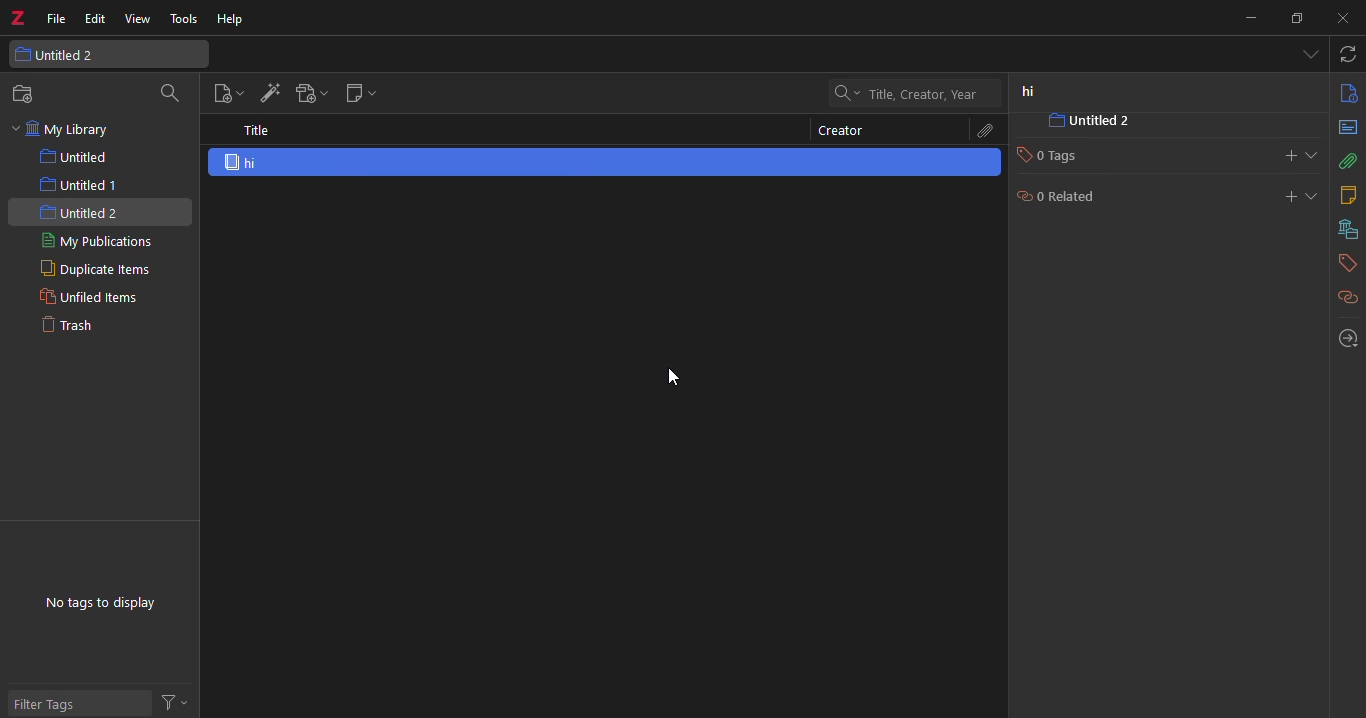 This screenshot has height=718, width=1366. What do you see at coordinates (74, 130) in the screenshot?
I see `my library` at bounding box center [74, 130].